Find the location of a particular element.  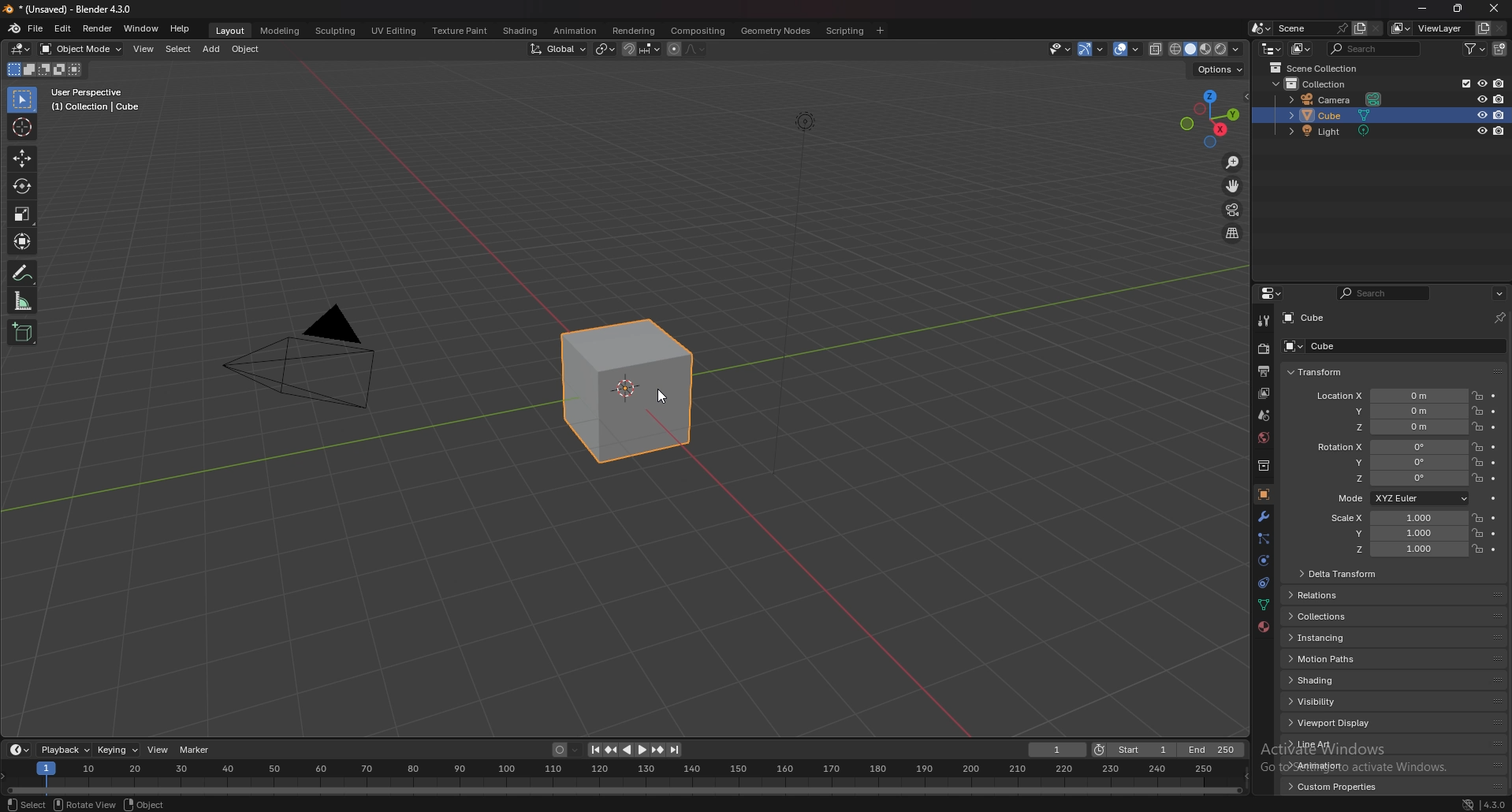

cursor is located at coordinates (667, 399).